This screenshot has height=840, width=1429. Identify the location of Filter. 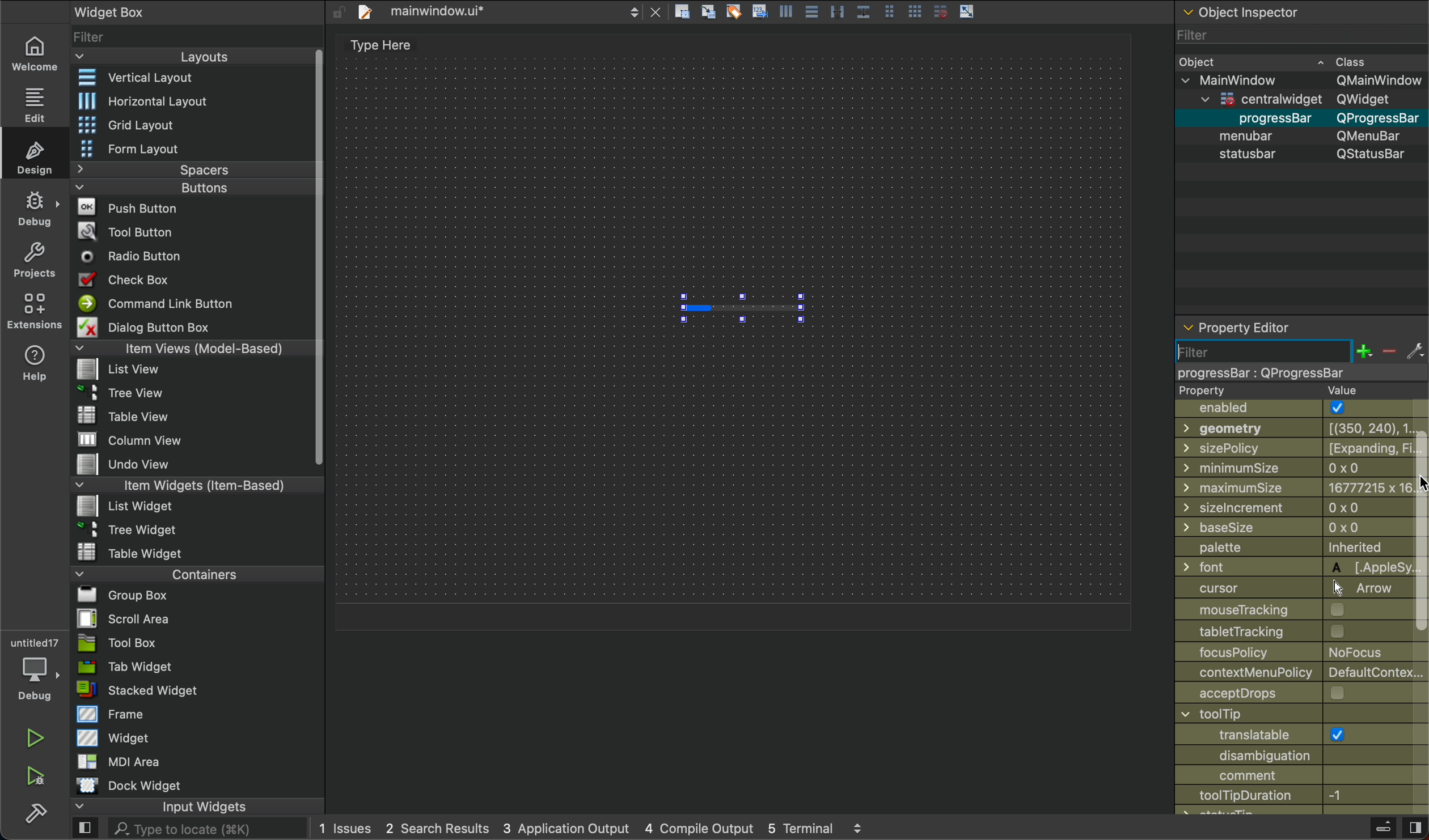
(1299, 34).